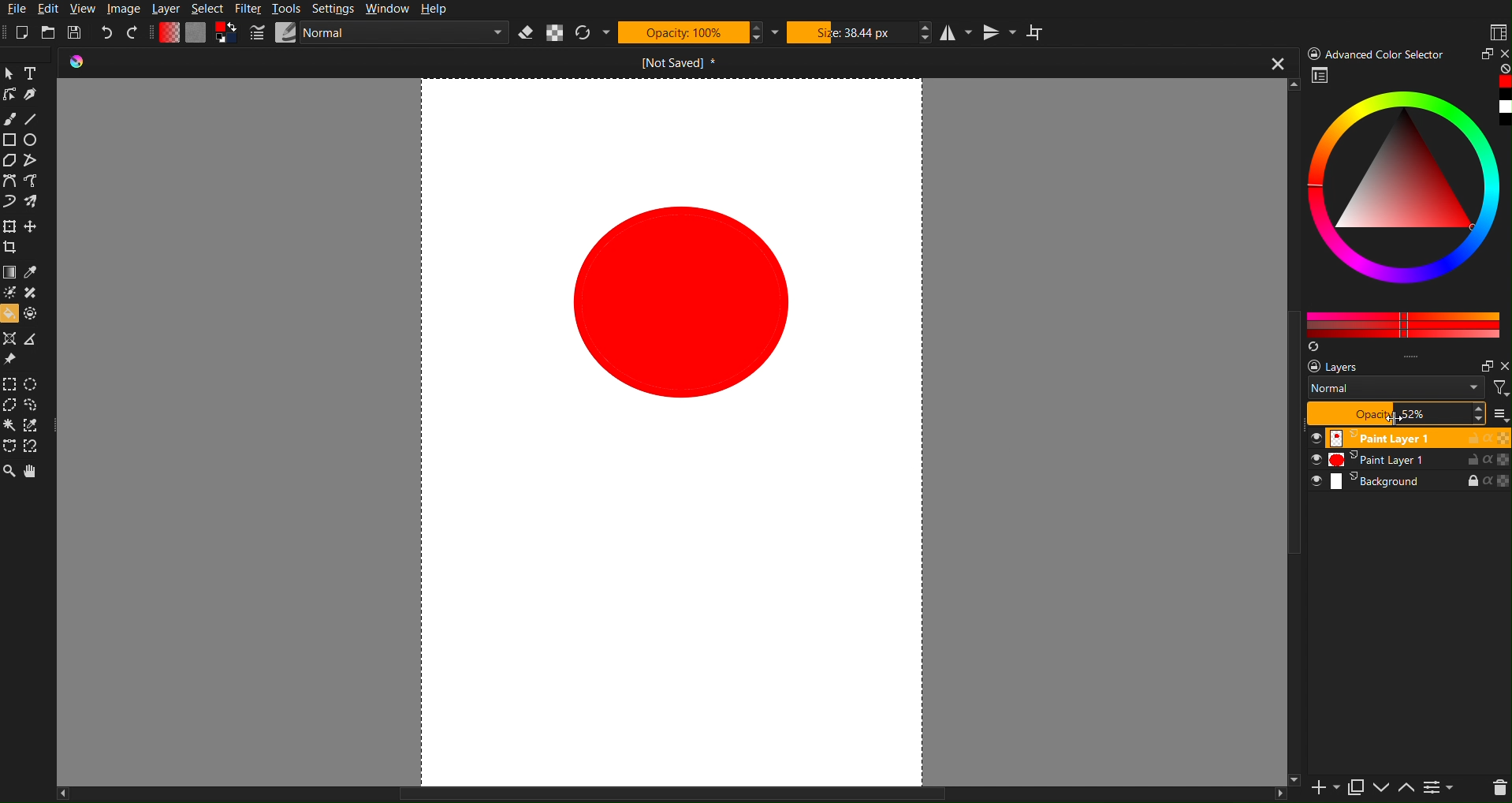 This screenshot has width=1512, height=803. I want to click on Background, so click(1404, 480).